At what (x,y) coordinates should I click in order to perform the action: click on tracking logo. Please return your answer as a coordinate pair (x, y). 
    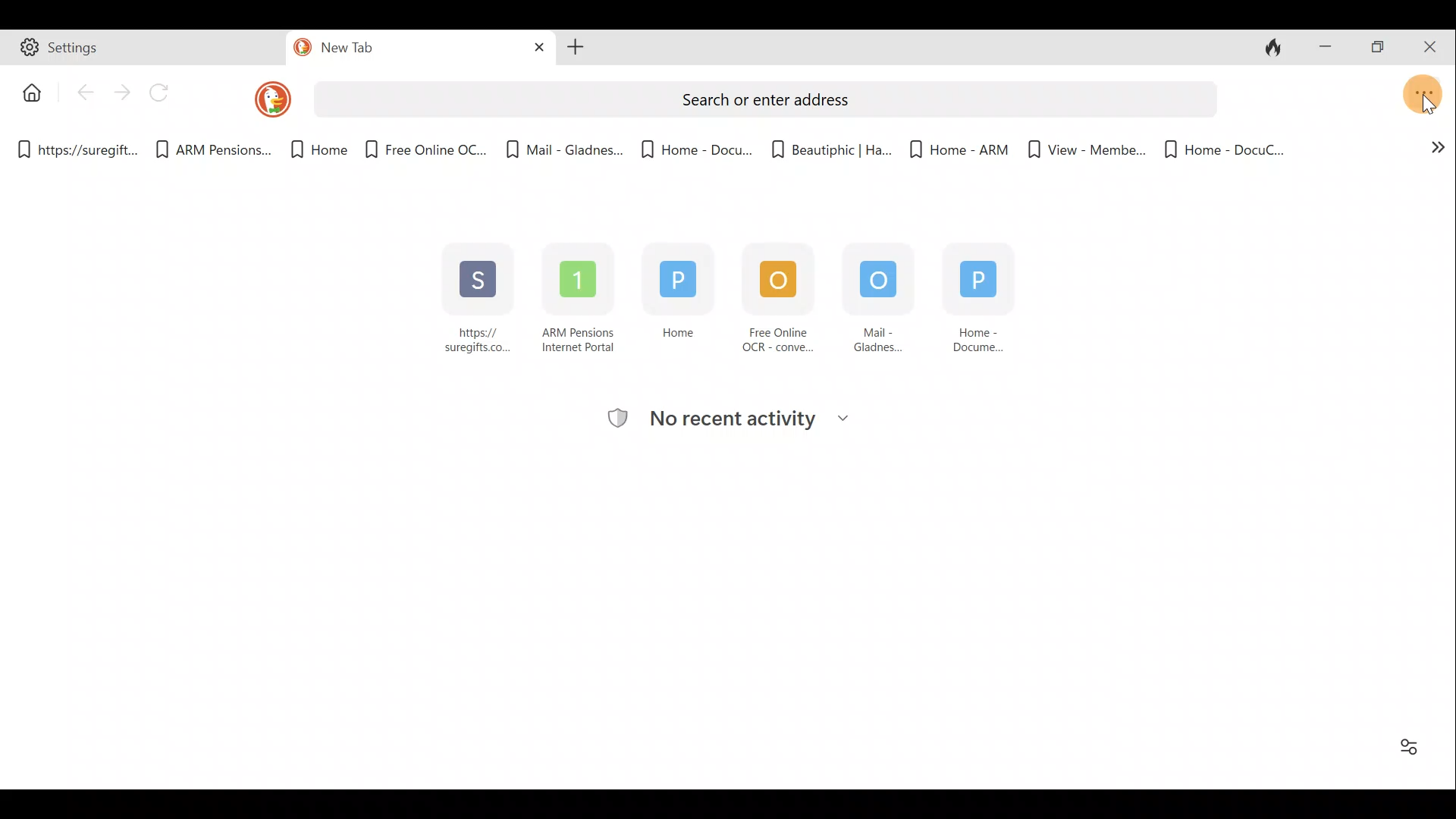
    Looking at the image, I should click on (616, 419).